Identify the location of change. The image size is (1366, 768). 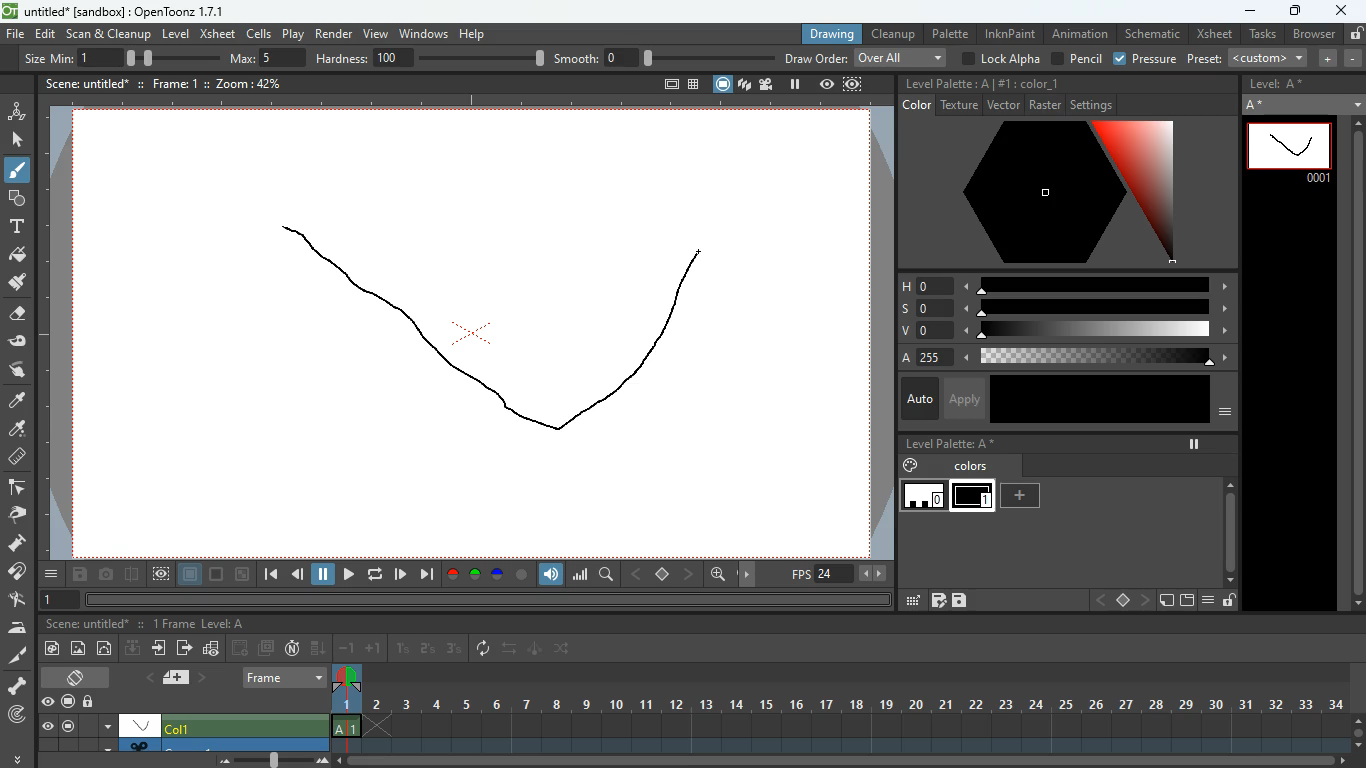
(106, 648).